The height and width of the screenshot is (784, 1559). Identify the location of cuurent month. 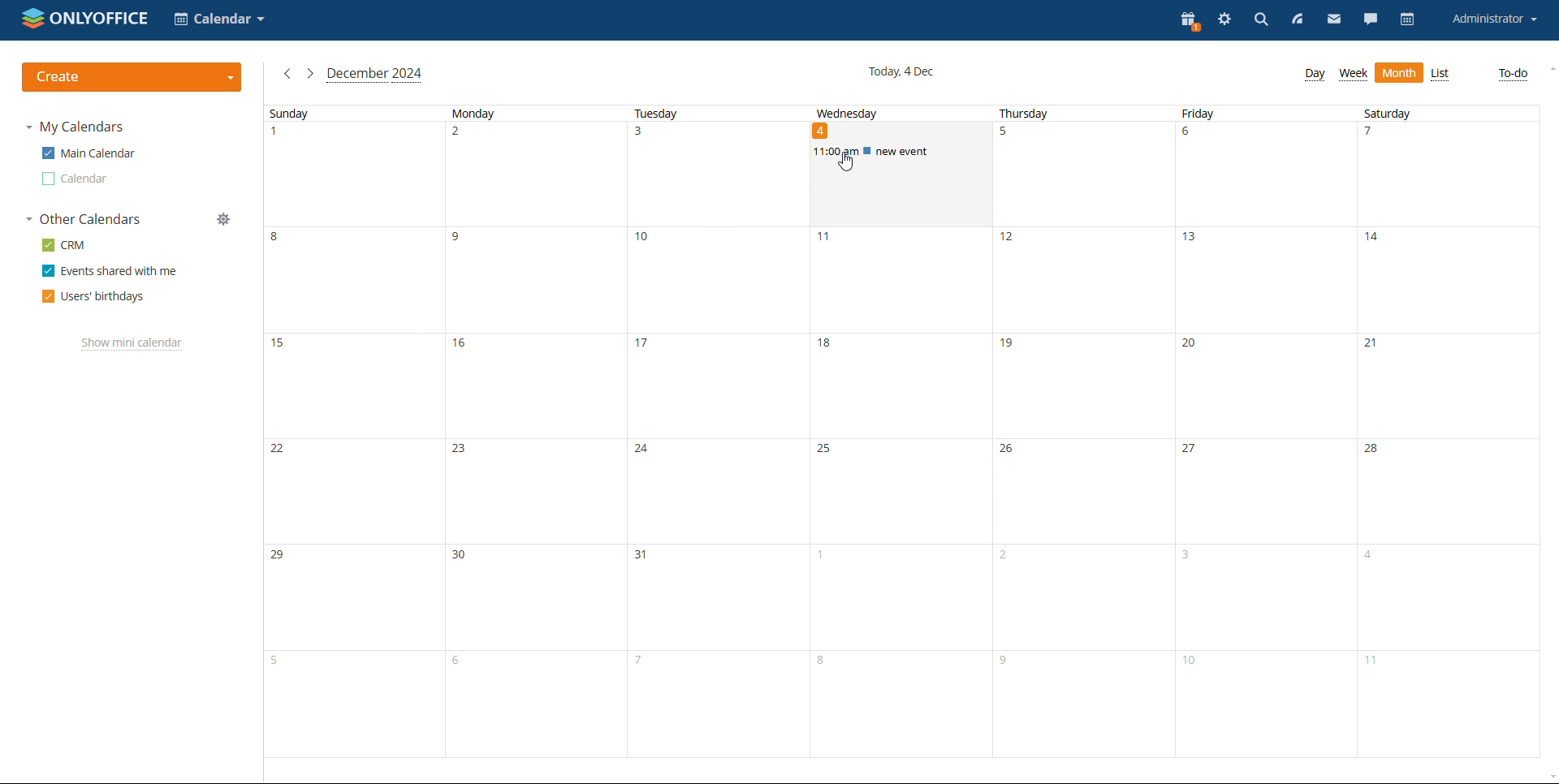
(374, 75).